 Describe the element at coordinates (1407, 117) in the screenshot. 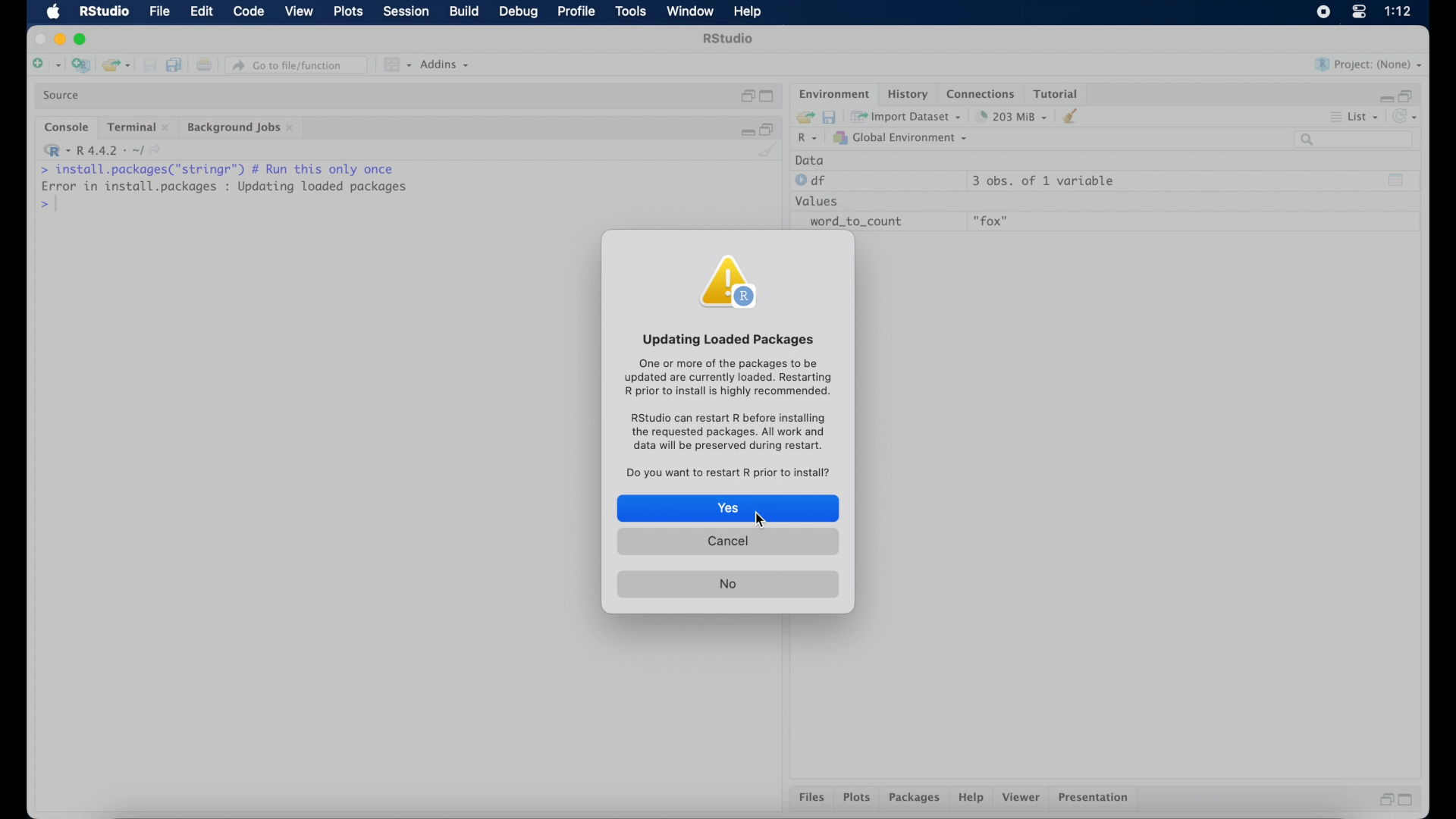

I see `refresh` at that location.